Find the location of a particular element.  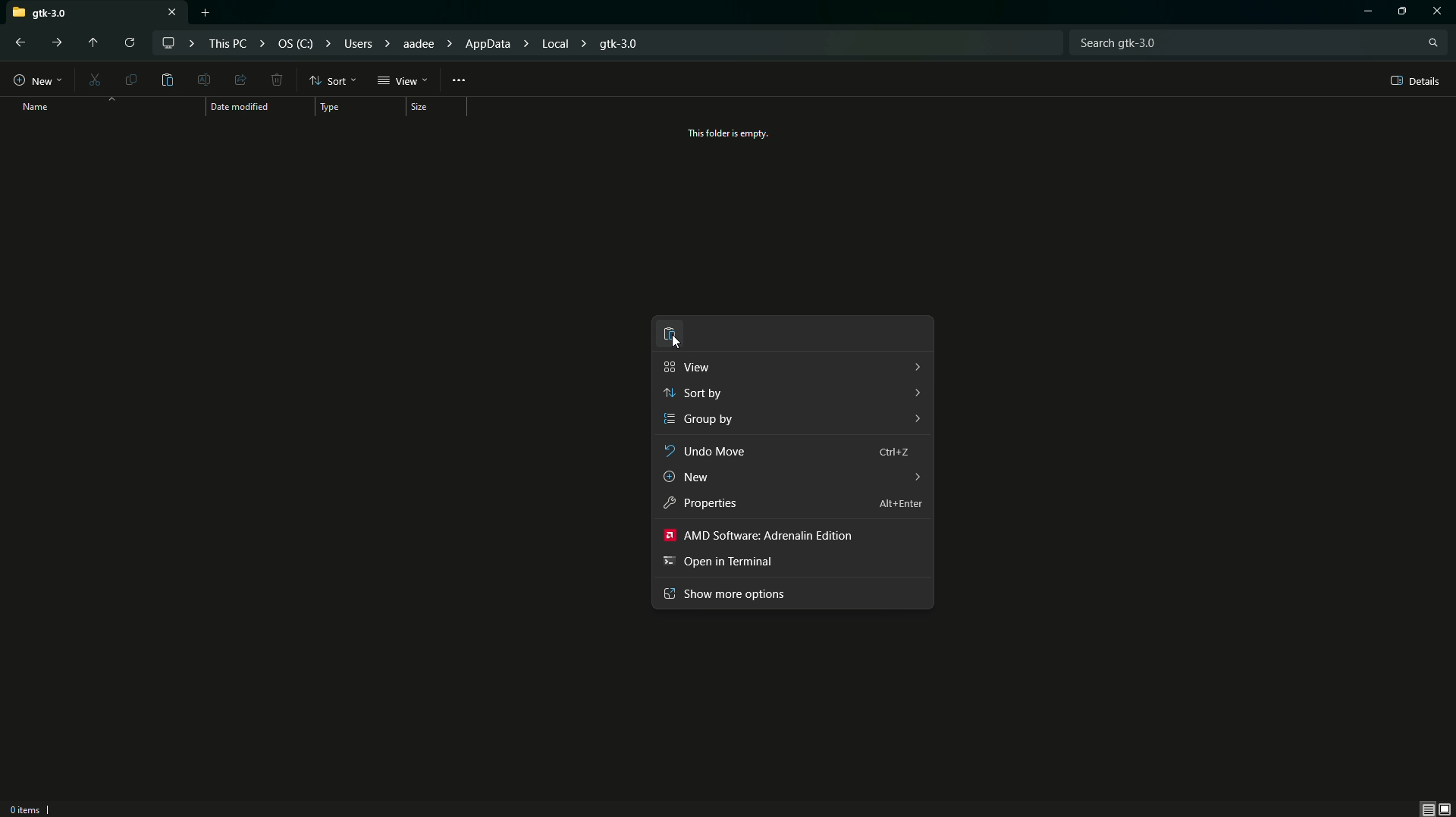

Delete is located at coordinates (278, 81).